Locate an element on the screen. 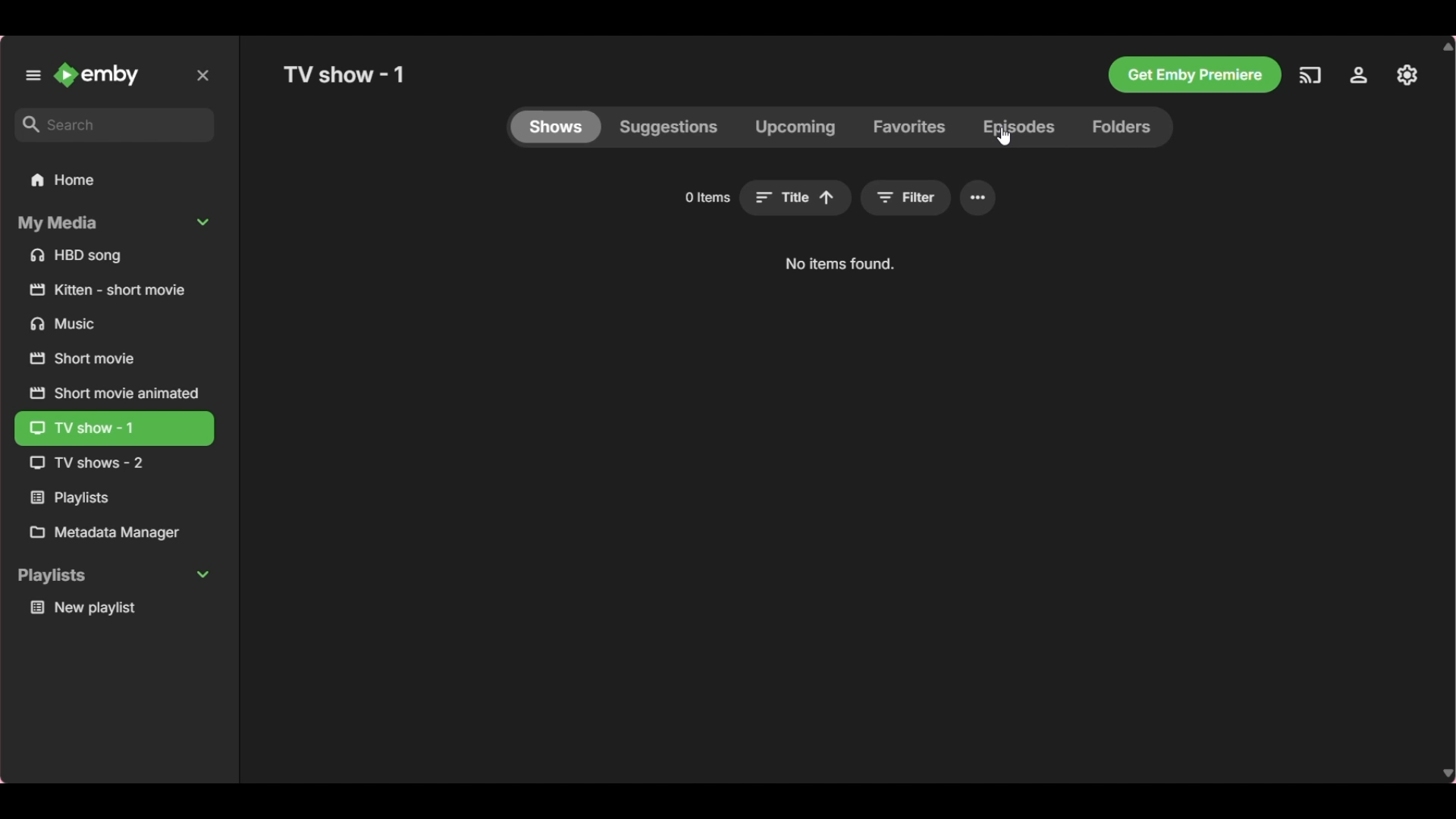 Image resolution: width=1456 pixels, height=819 pixels. Metadata Manager is located at coordinates (114, 532).